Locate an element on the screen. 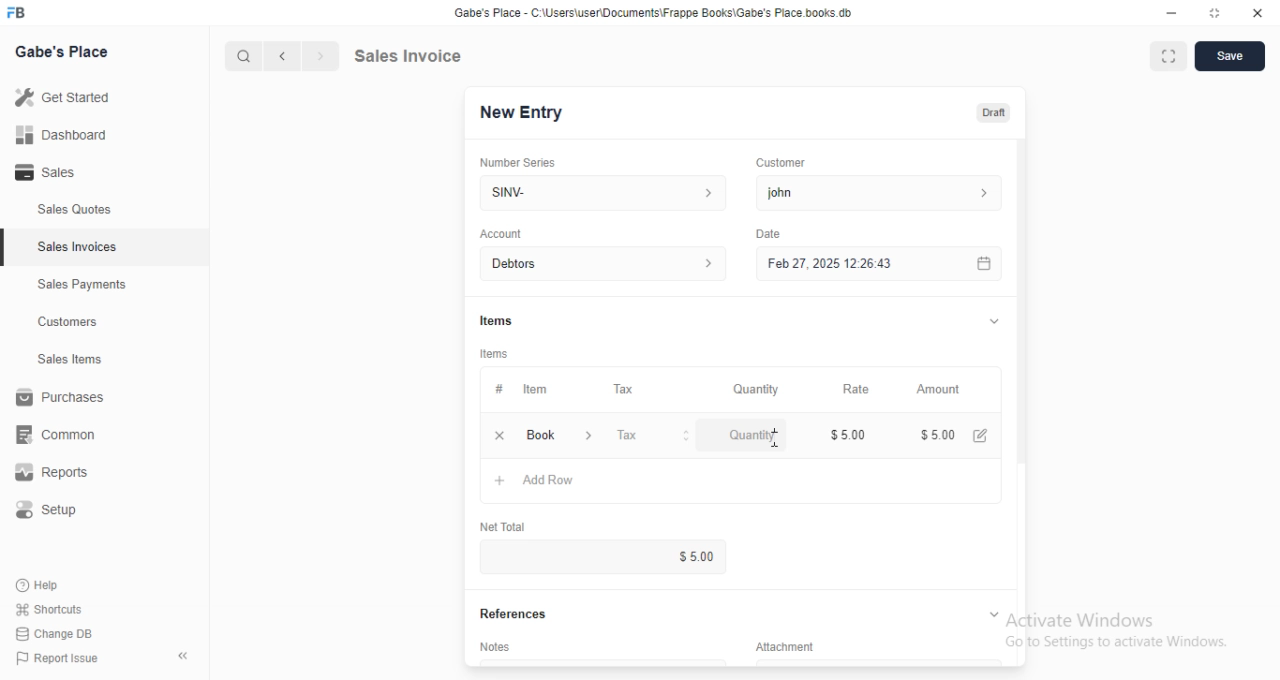 Image resolution: width=1280 pixels, height=680 pixels. Shortcuts is located at coordinates (50, 610).